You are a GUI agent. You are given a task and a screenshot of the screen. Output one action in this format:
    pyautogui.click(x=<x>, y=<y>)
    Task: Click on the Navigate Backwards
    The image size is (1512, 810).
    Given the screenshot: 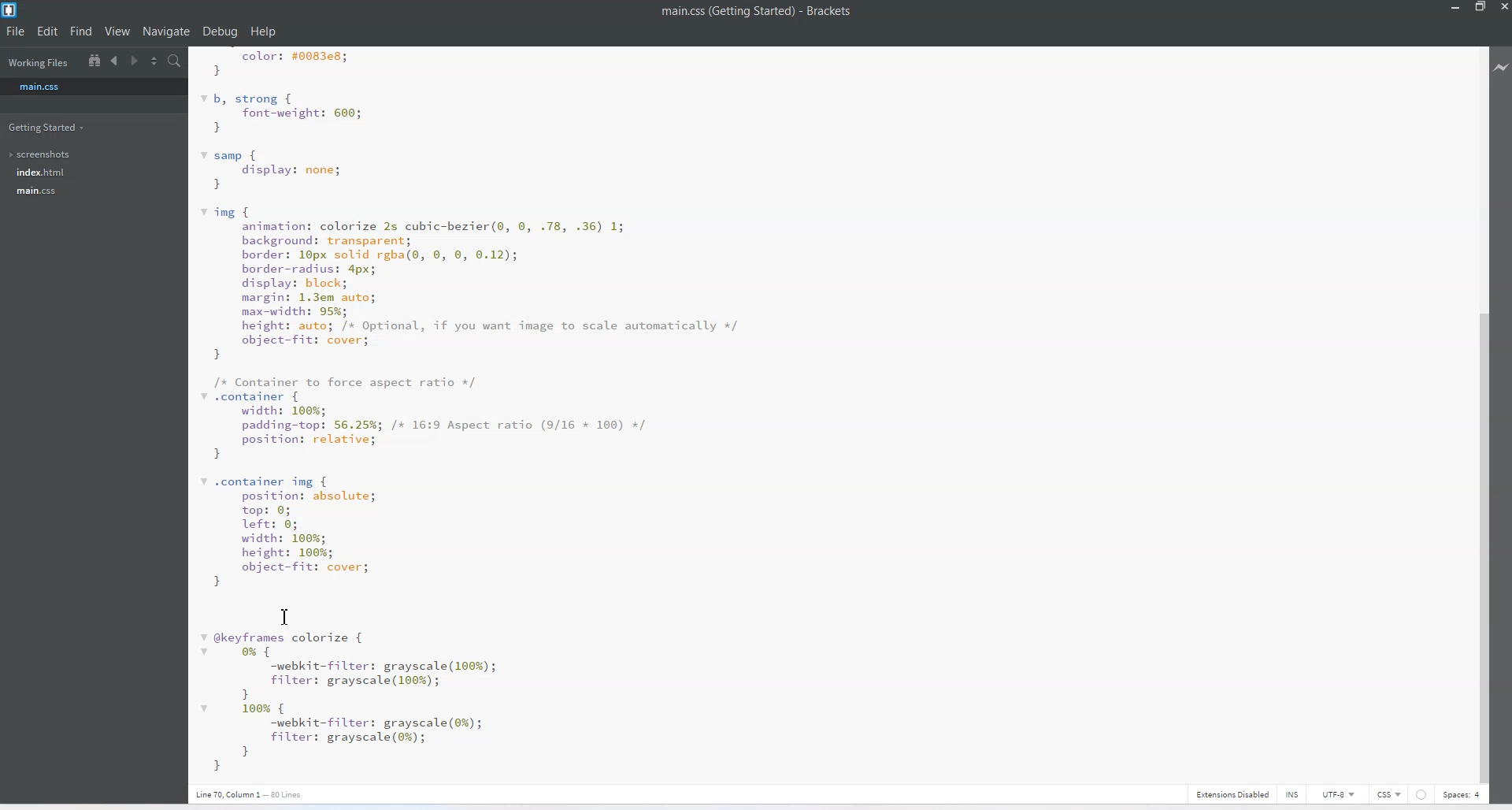 What is the action you would take?
    pyautogui.click(x=117, y=61)
    